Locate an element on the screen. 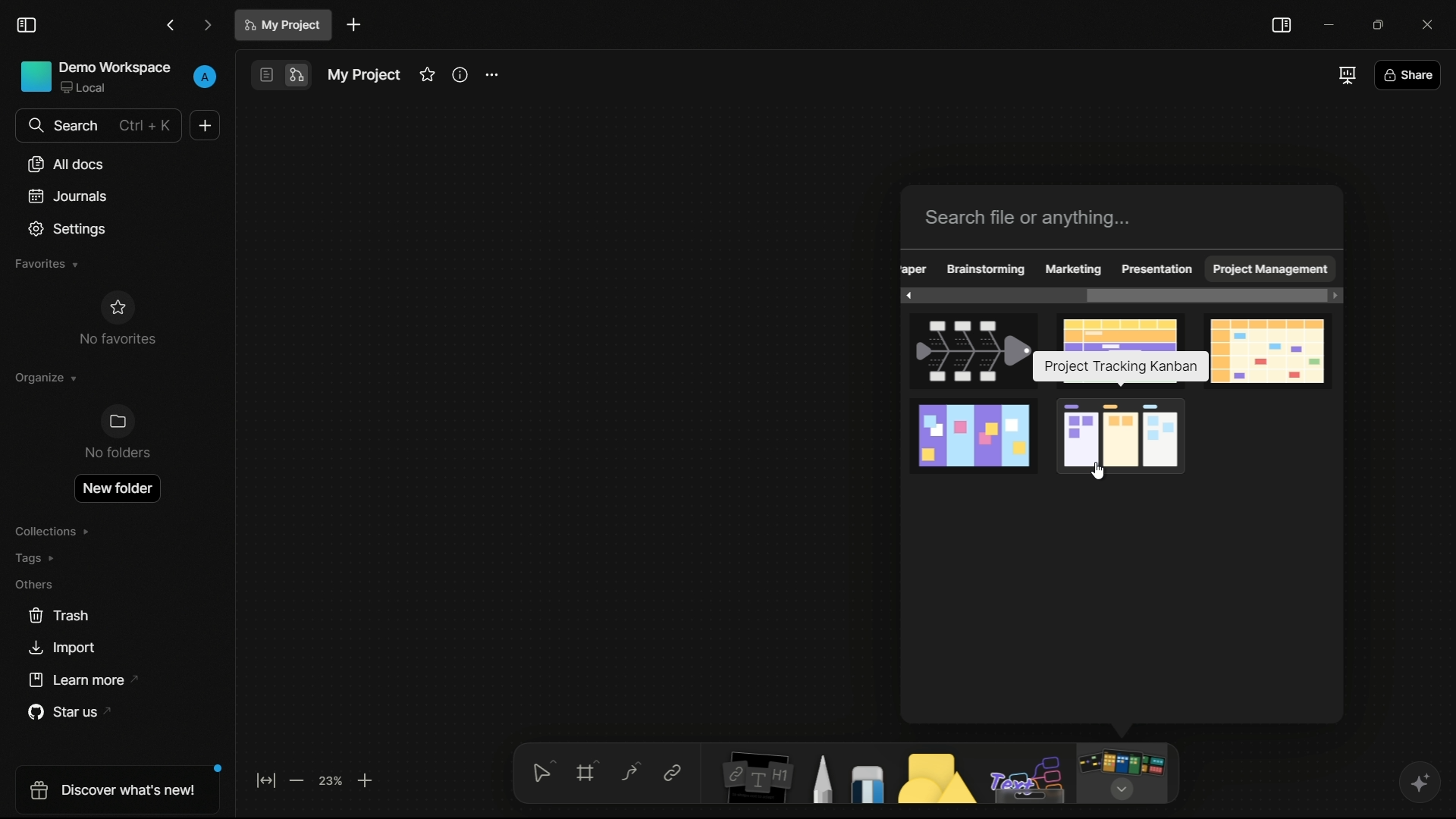  document name is located at coordinates (285, 25).